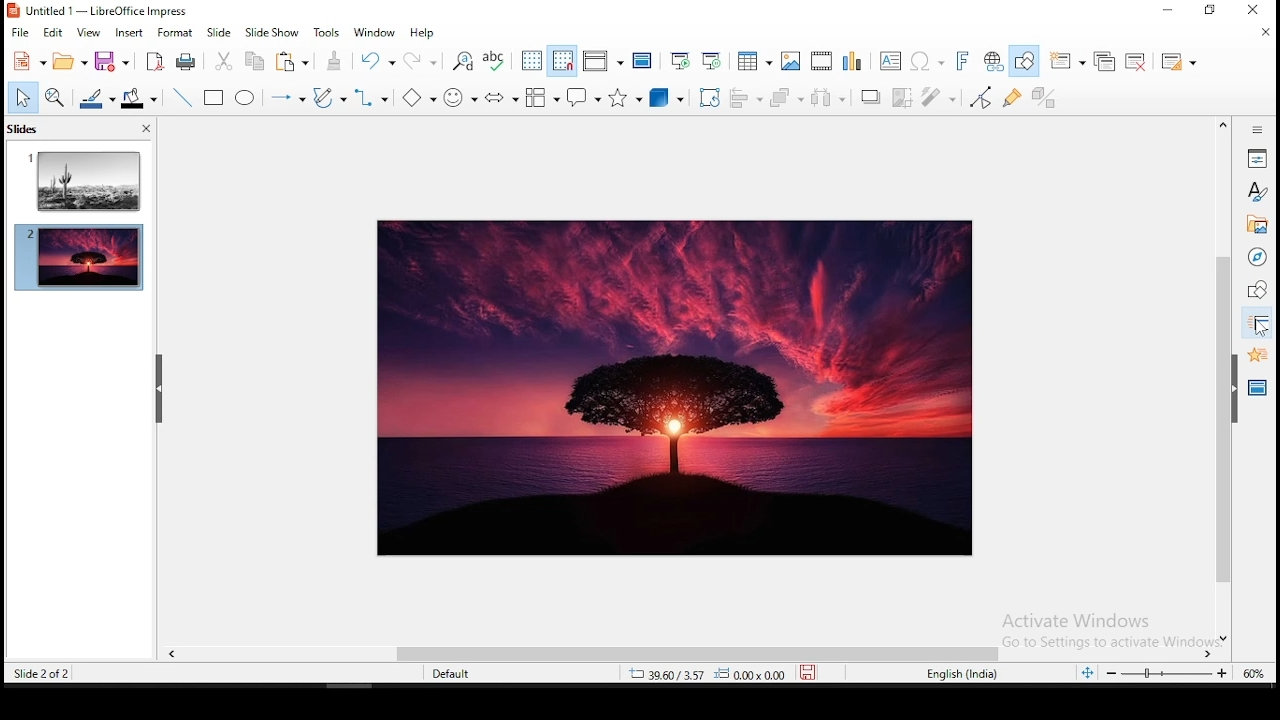  I want to click on restore, so click(1207, 11).